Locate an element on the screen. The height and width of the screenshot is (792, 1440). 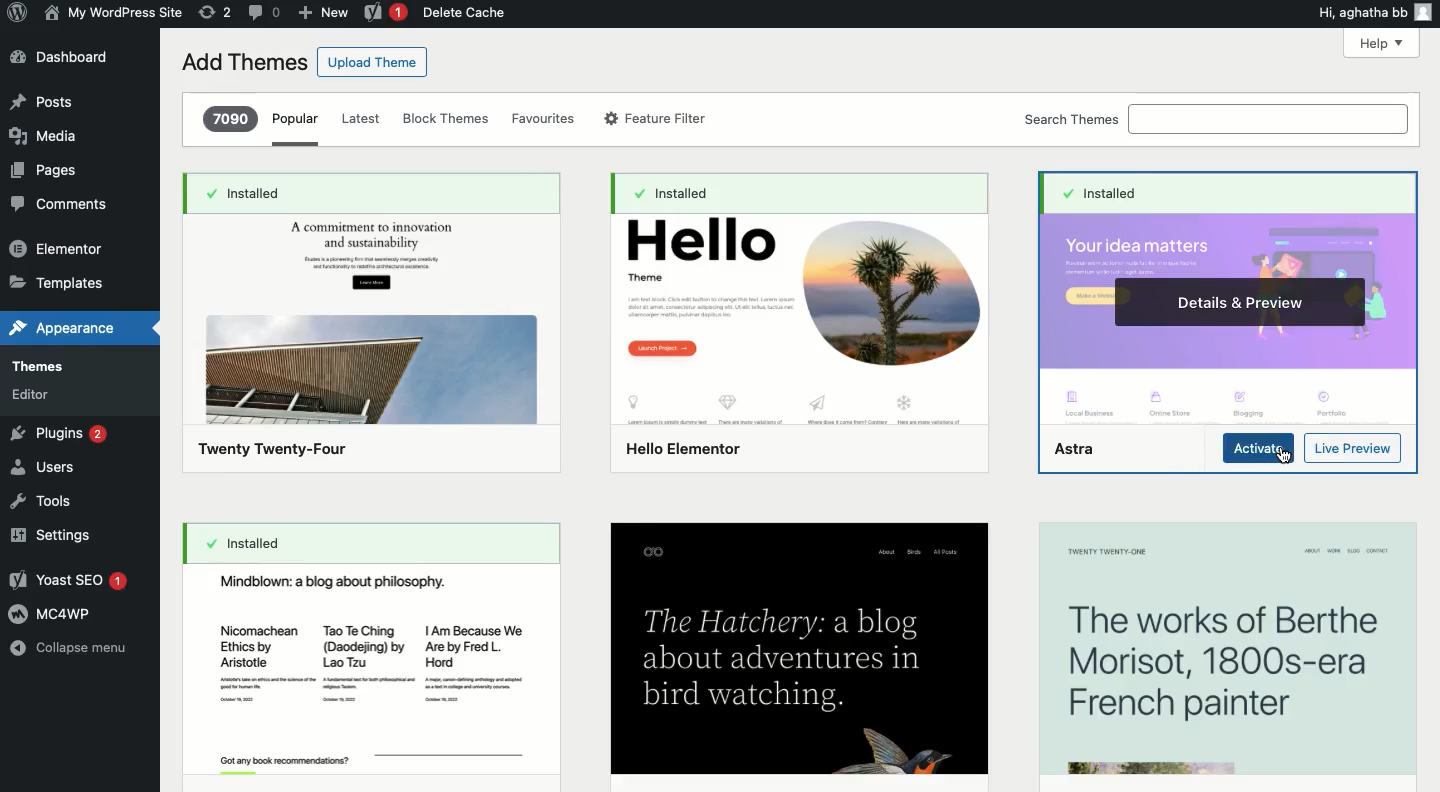
Installed is located at coordinates (1230, 193).